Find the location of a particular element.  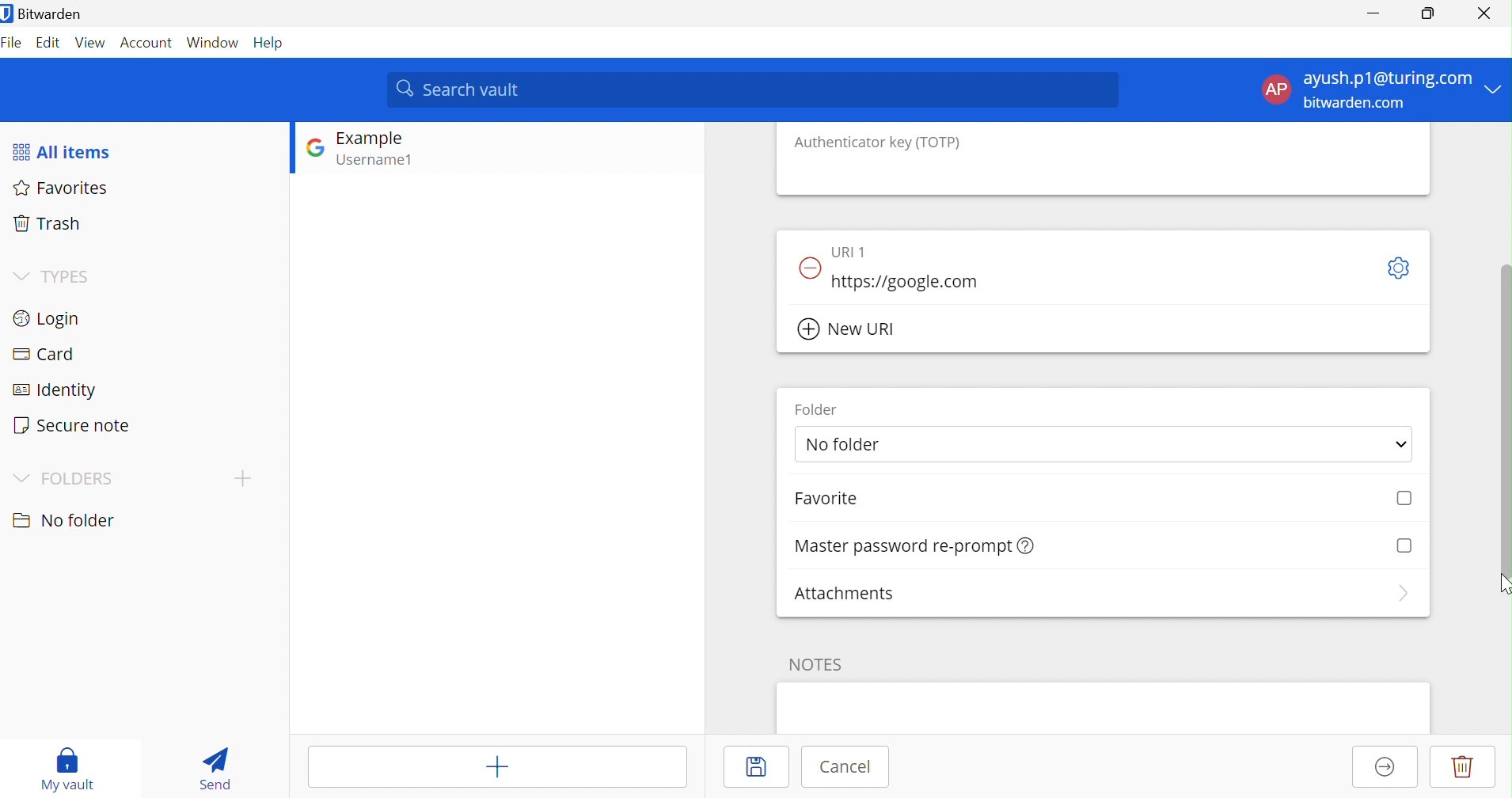

Master password re-prompt is located at coordinates (901, 546).